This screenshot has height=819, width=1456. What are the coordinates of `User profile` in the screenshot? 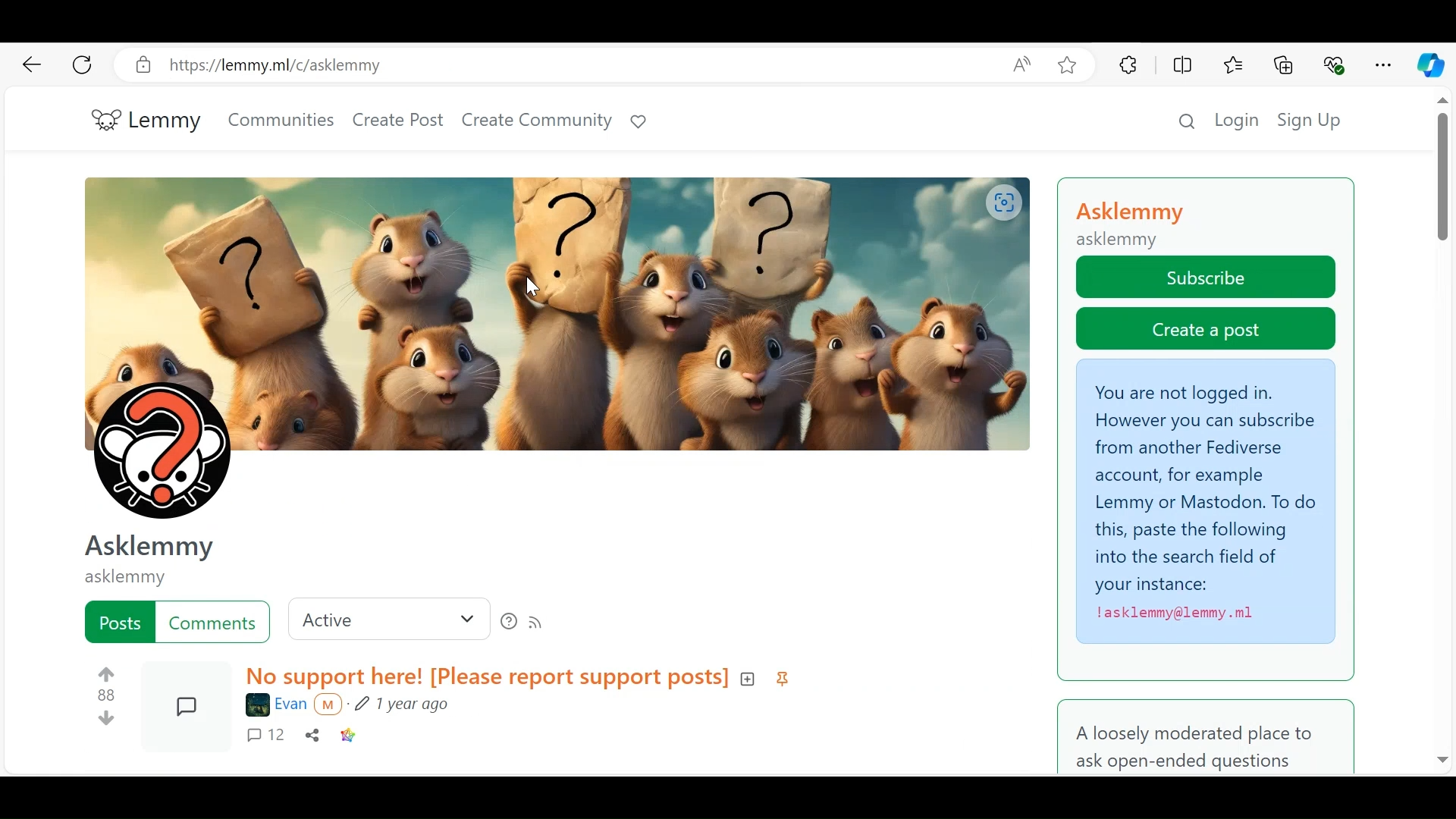 It's located at (554, 347).